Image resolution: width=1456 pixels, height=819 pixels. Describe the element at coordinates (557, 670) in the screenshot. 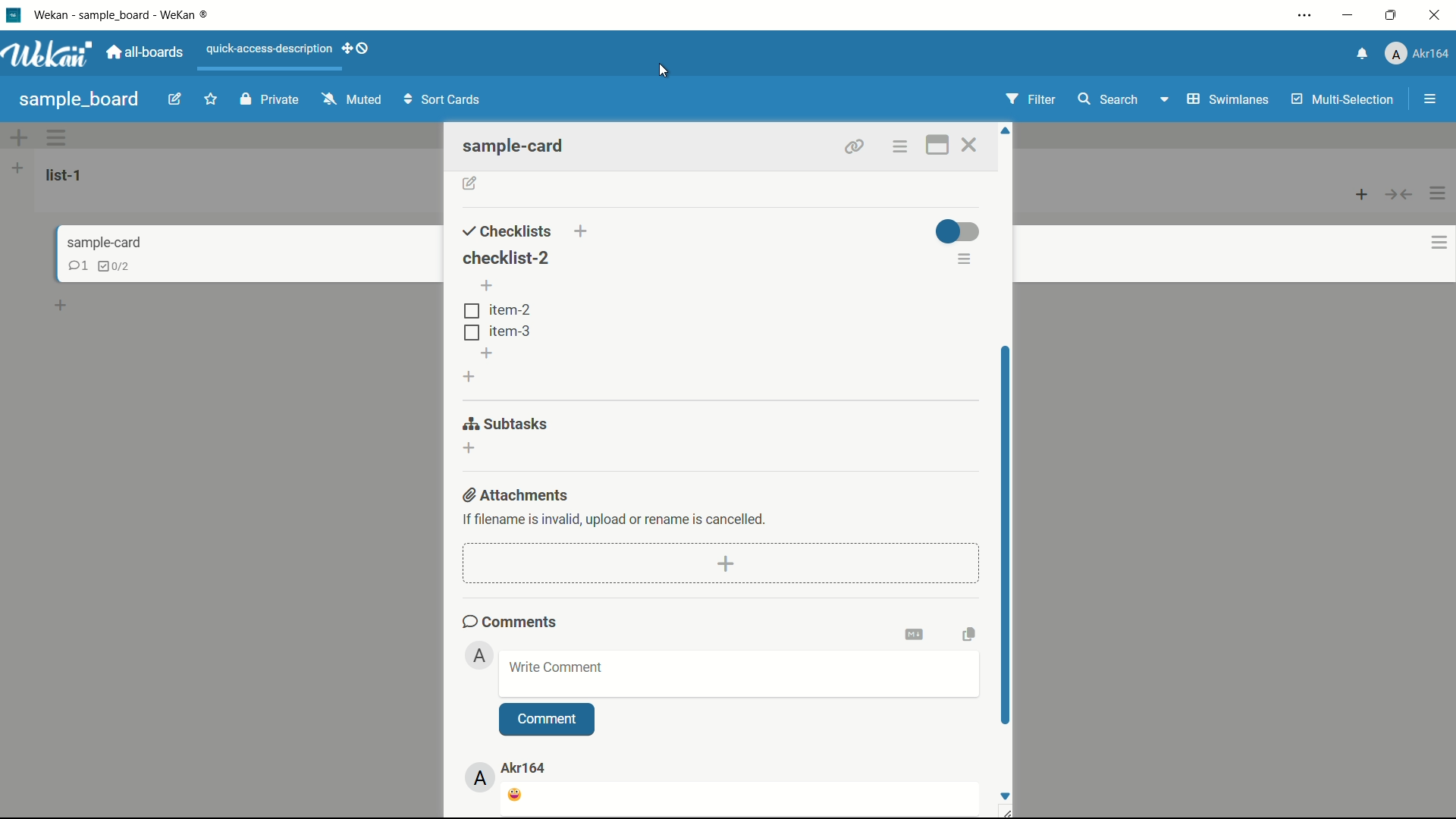

I see `:)` at that location.